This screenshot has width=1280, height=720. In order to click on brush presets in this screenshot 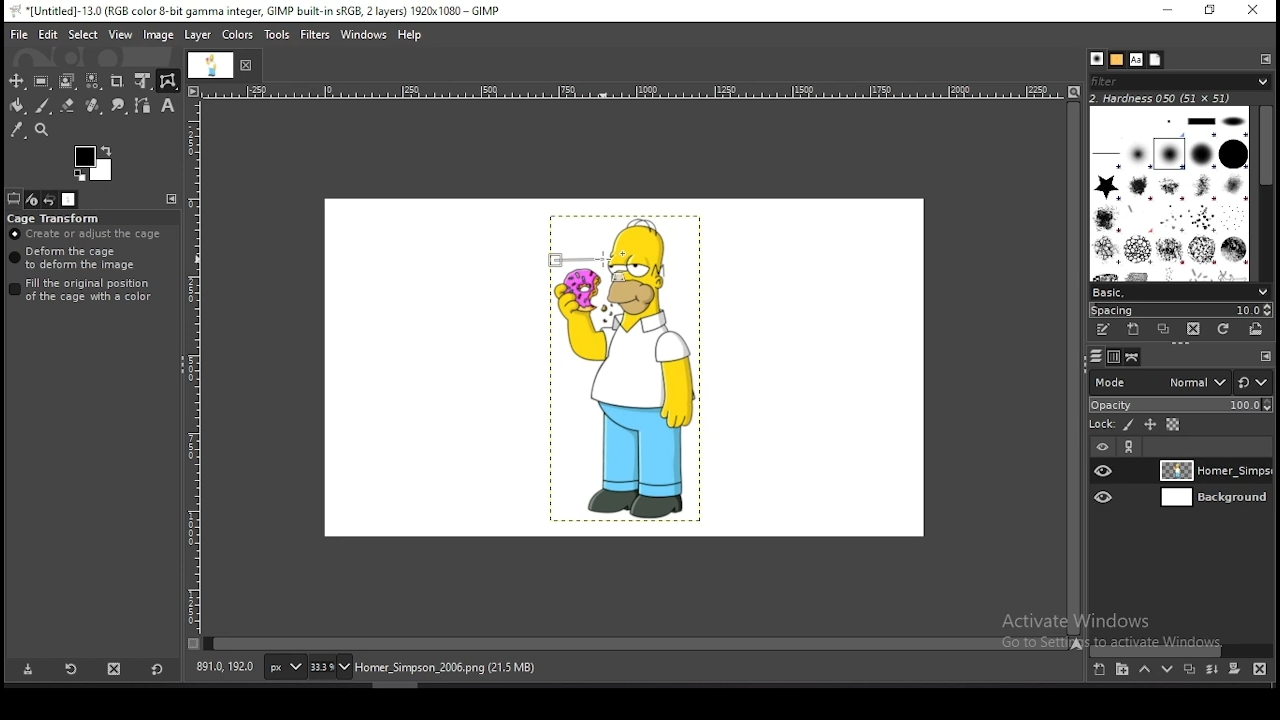, I will do `click(1181, 290)`.